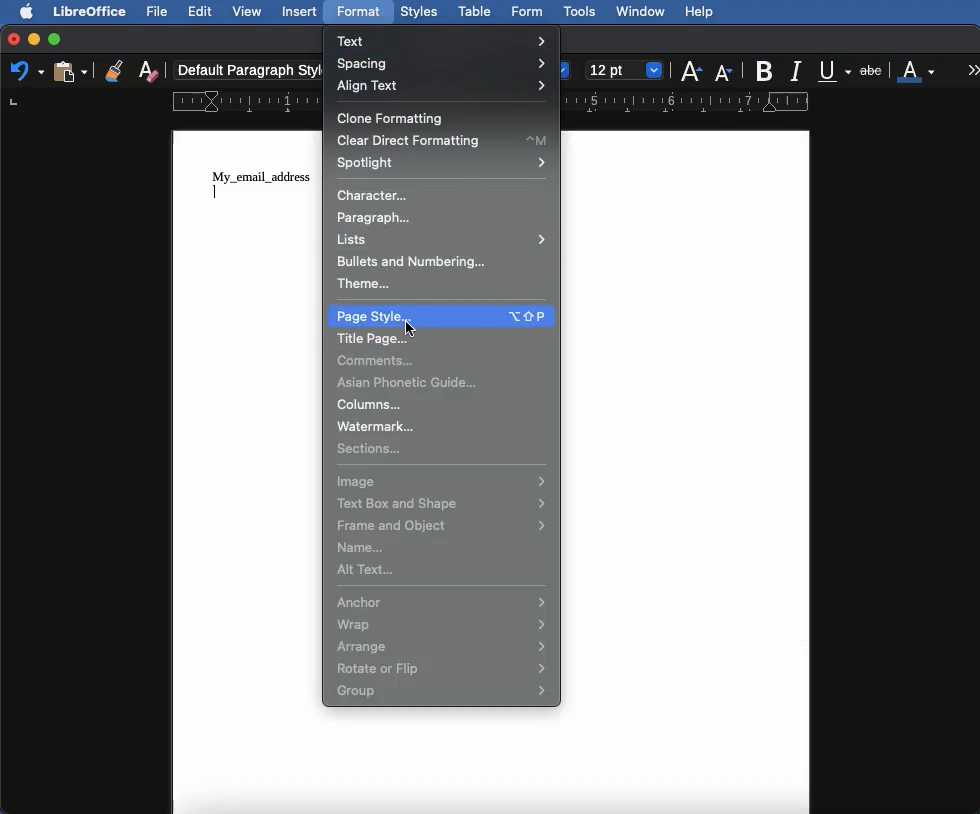 This screenshot has height=814, width=980. Describe the element at coordinates (626, 71) in the screenshot. I see `Size` at that location.